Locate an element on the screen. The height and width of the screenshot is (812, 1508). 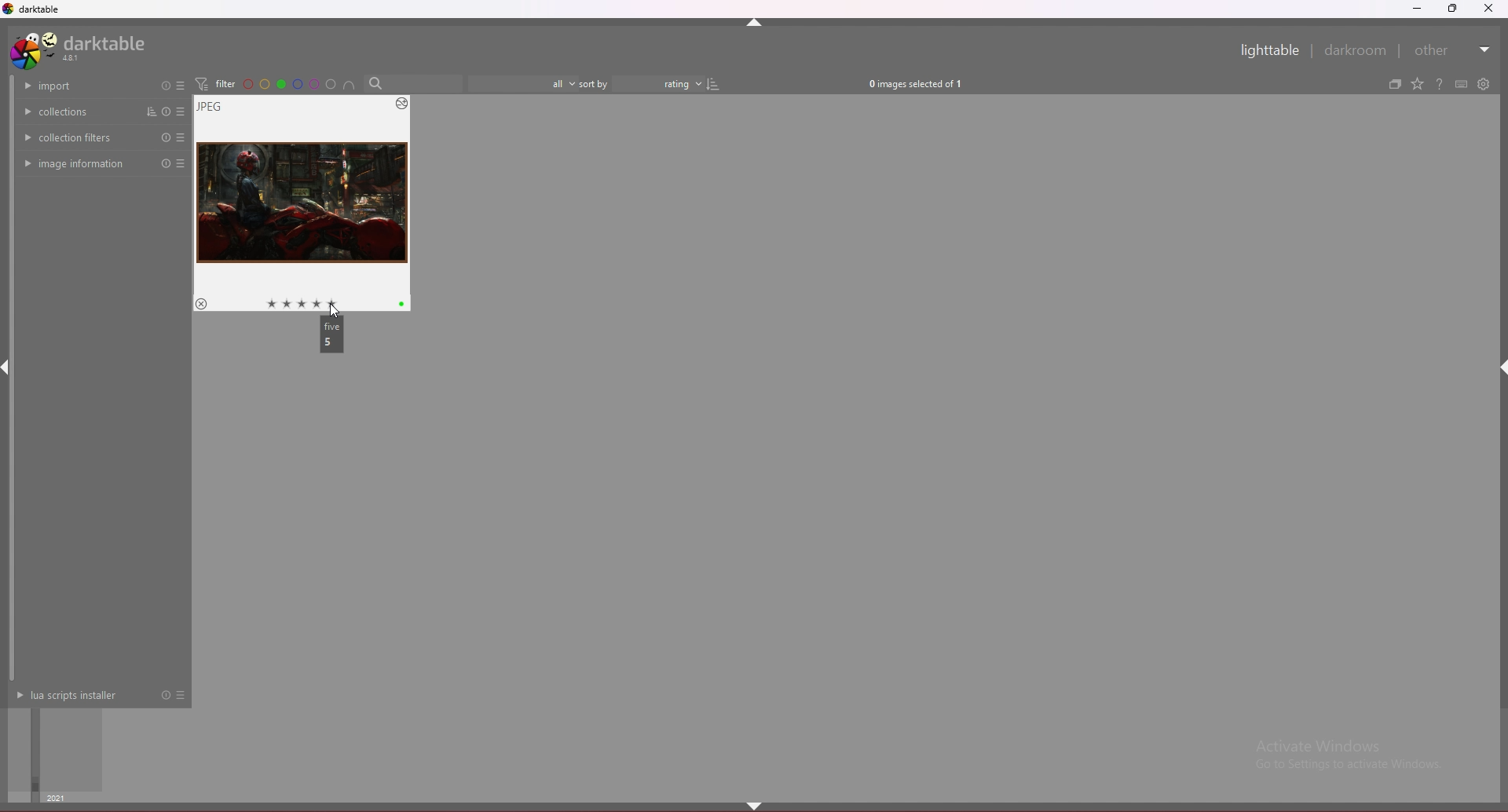
description is located at coordinates (331, 335).